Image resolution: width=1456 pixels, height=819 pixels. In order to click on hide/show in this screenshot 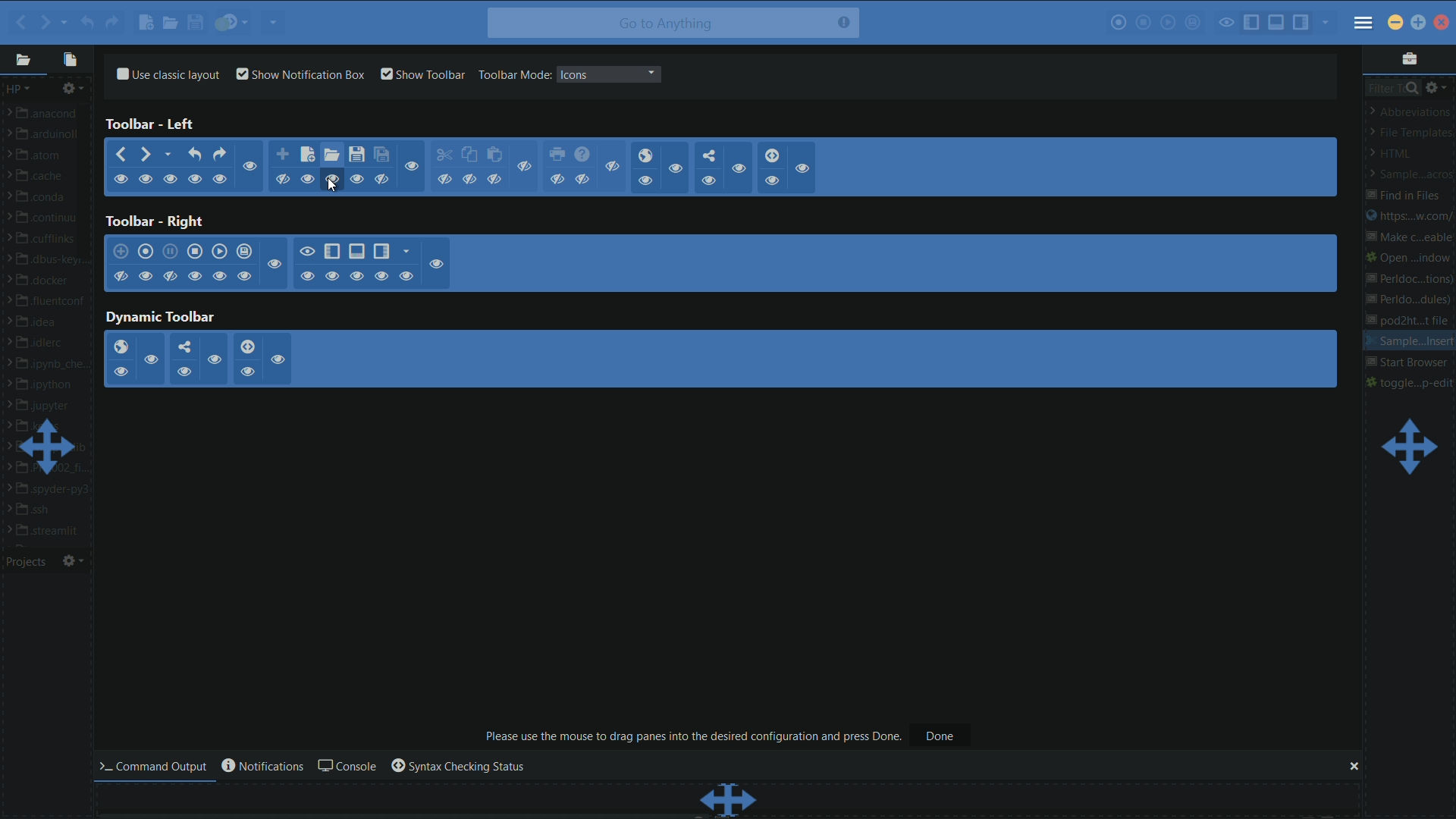, I will do `click(145, 276)`.